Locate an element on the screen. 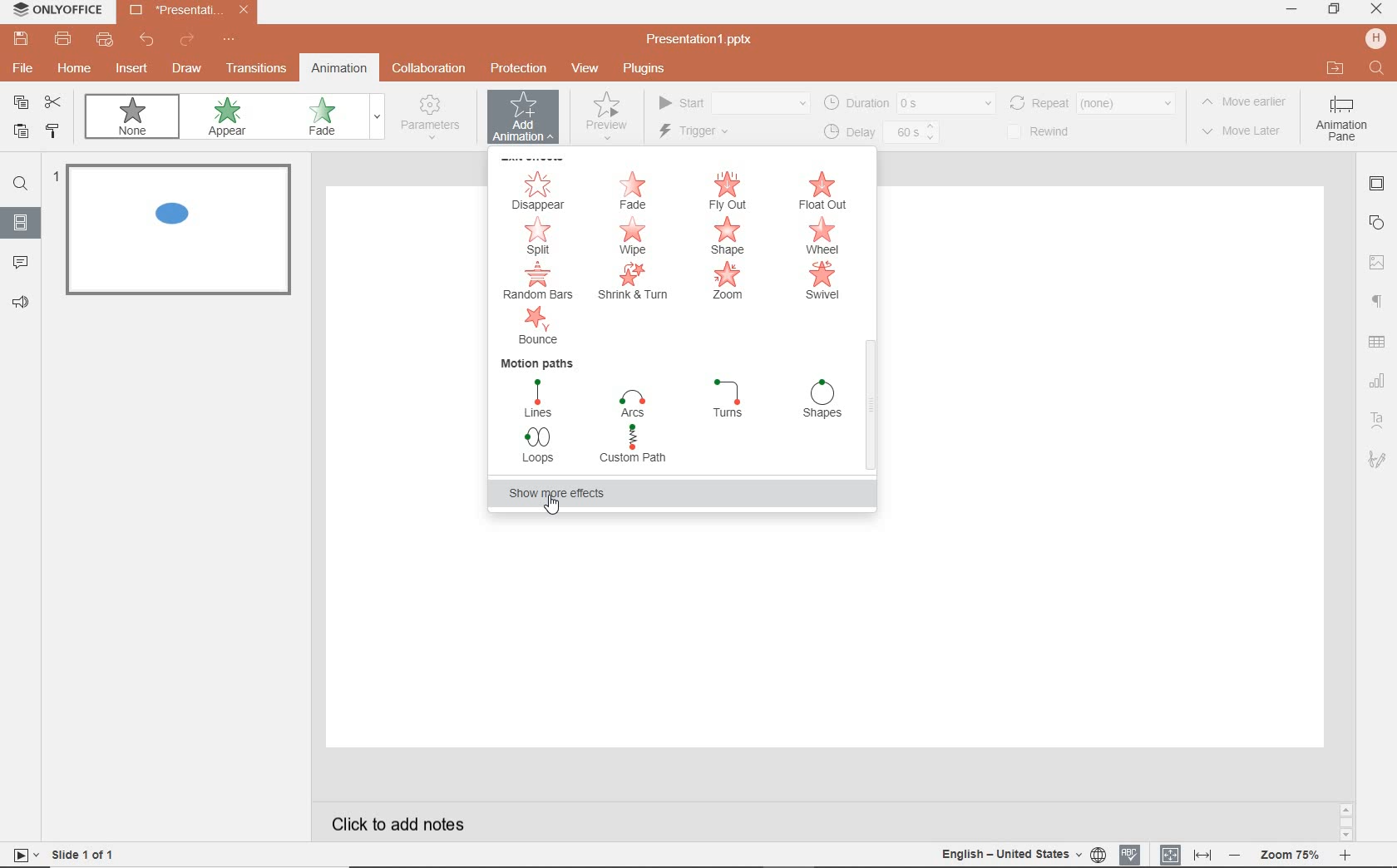 The height and width of the screenshot is (868, 1397). LOOPS is located at coordinates (541, 449).